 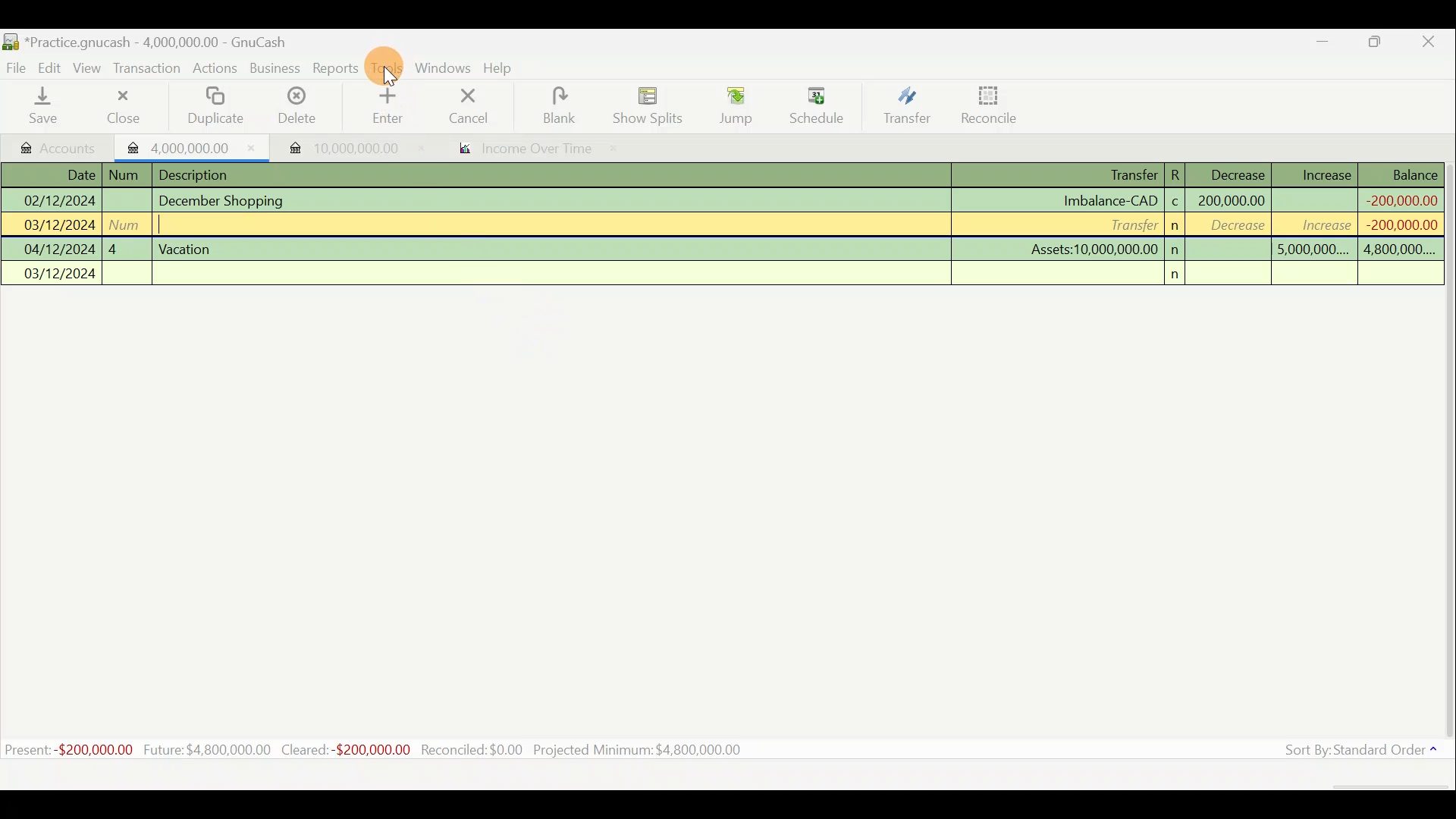 What do you see at coordinates (1396, 224) in the screenshot?
I see `-200,000,000` at bounding box center [1396, 224].